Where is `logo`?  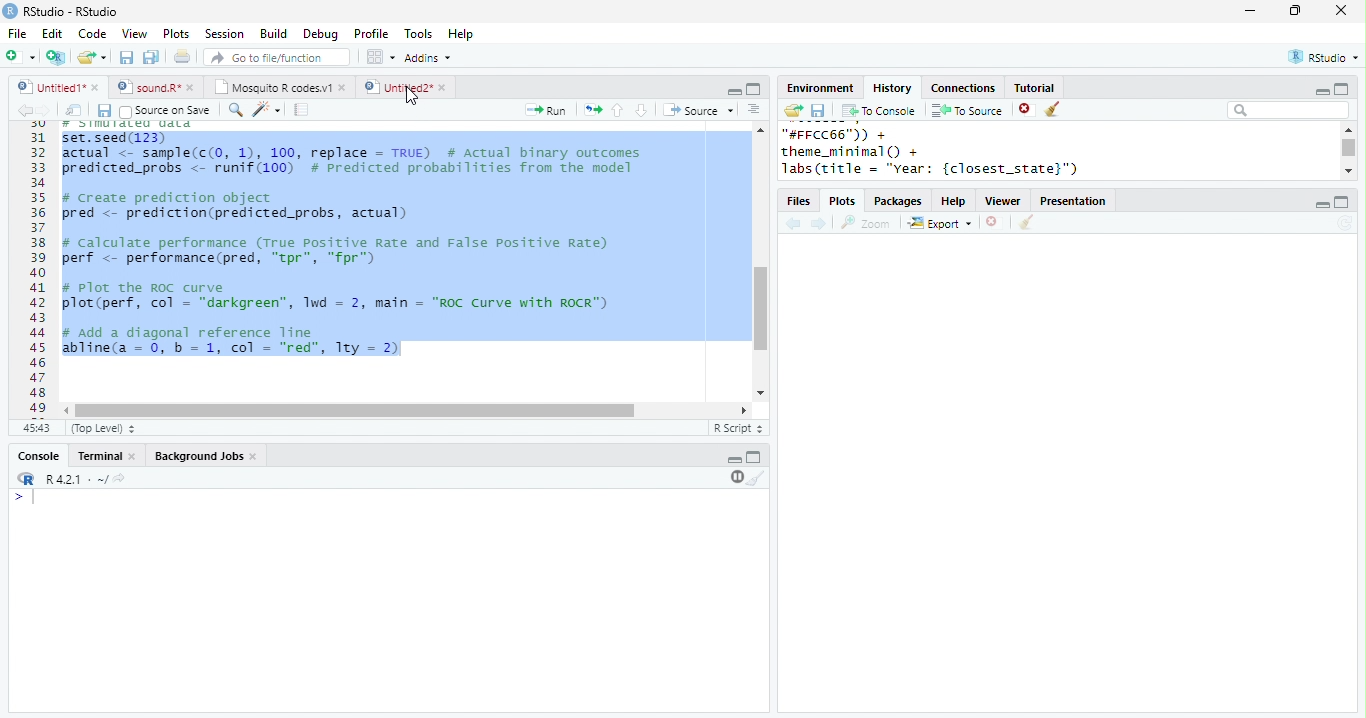
logo is located at coordinates (10, 10).